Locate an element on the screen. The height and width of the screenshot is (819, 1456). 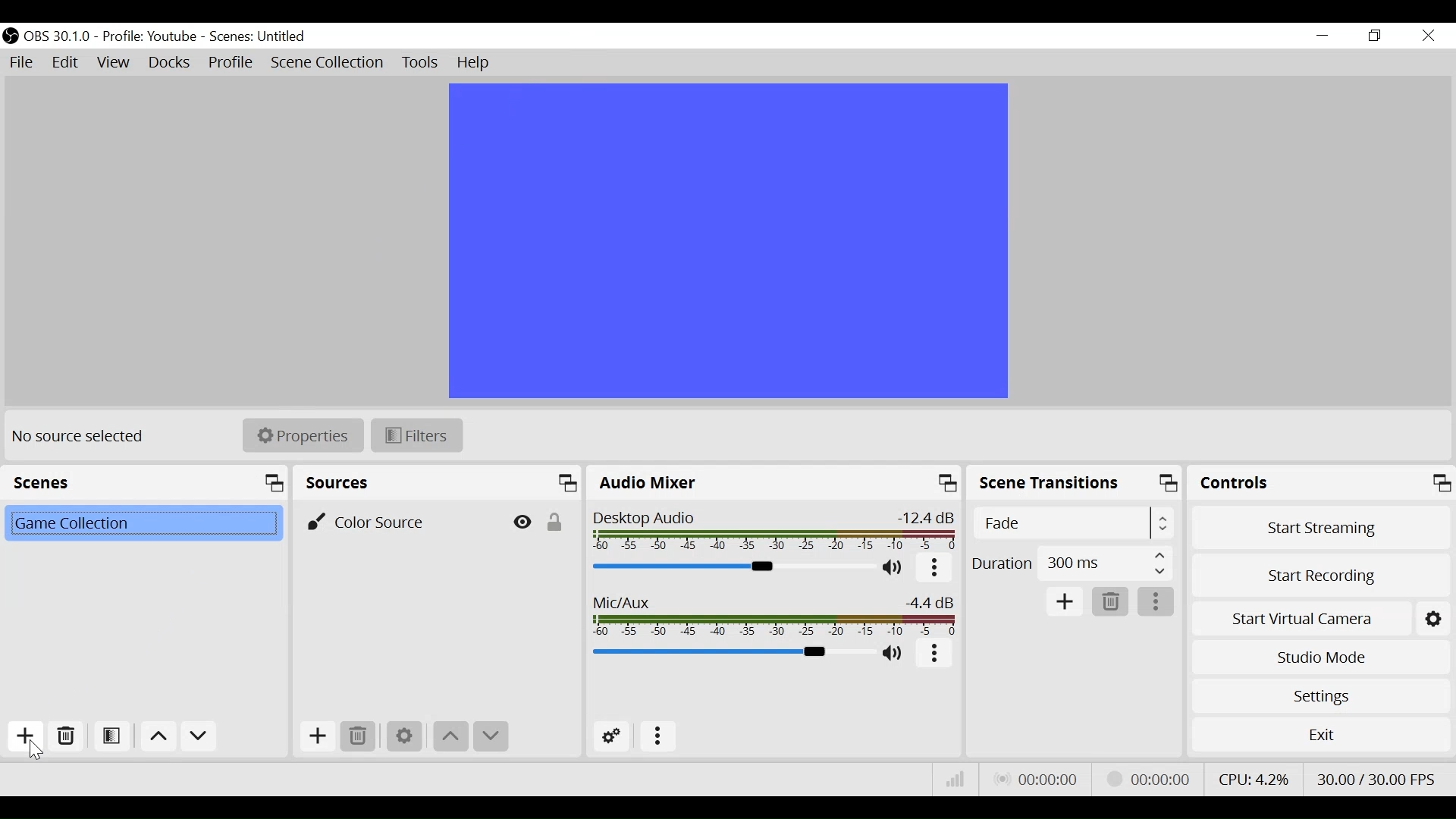
Start Virtual Camera is located at coordinates (1301, 616).